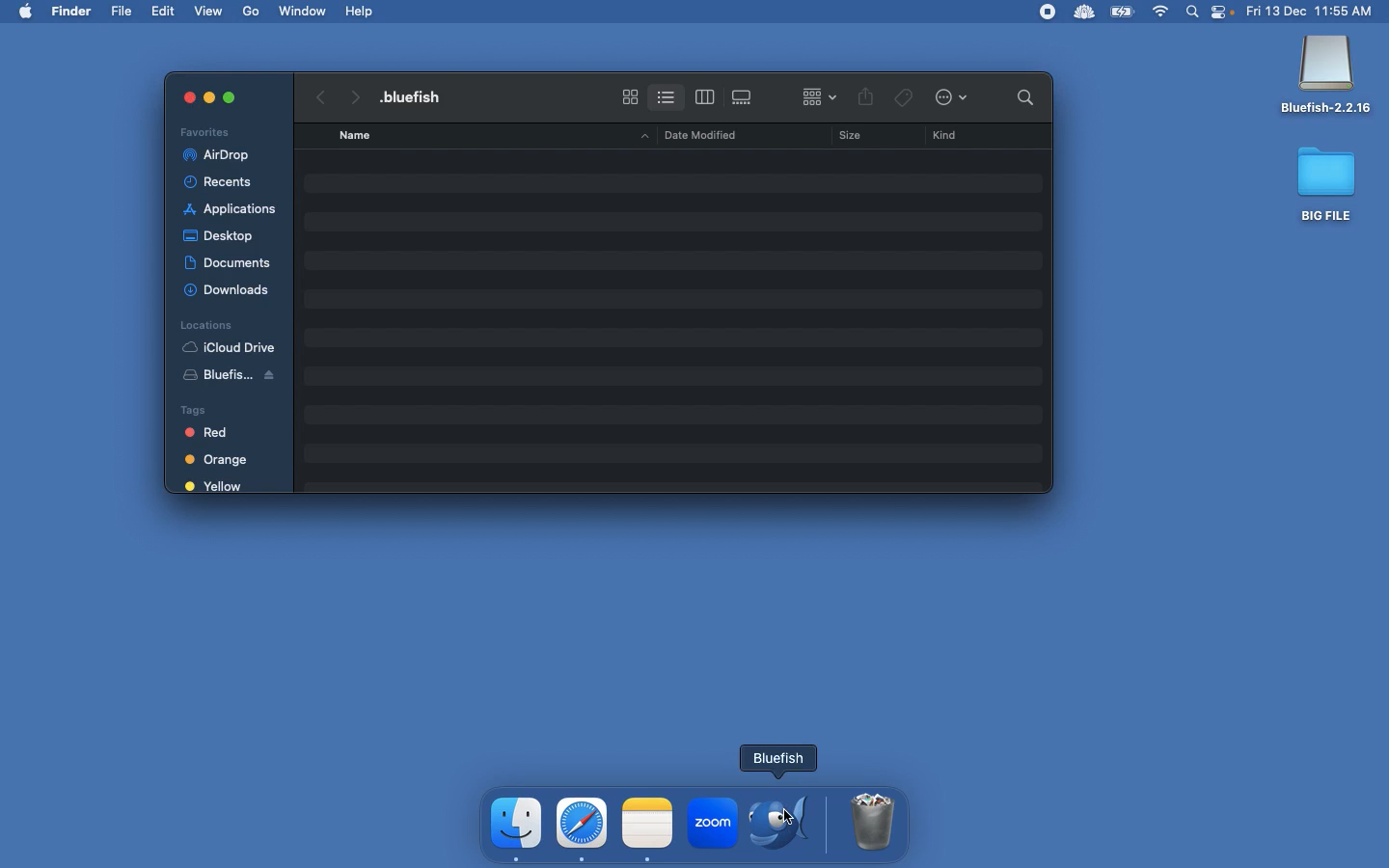 Image resolution: width=1389 pixels, height=868 pixels. Describe the element at coordinates (711, 826) in the screenshot. I see `zoom` at that location.